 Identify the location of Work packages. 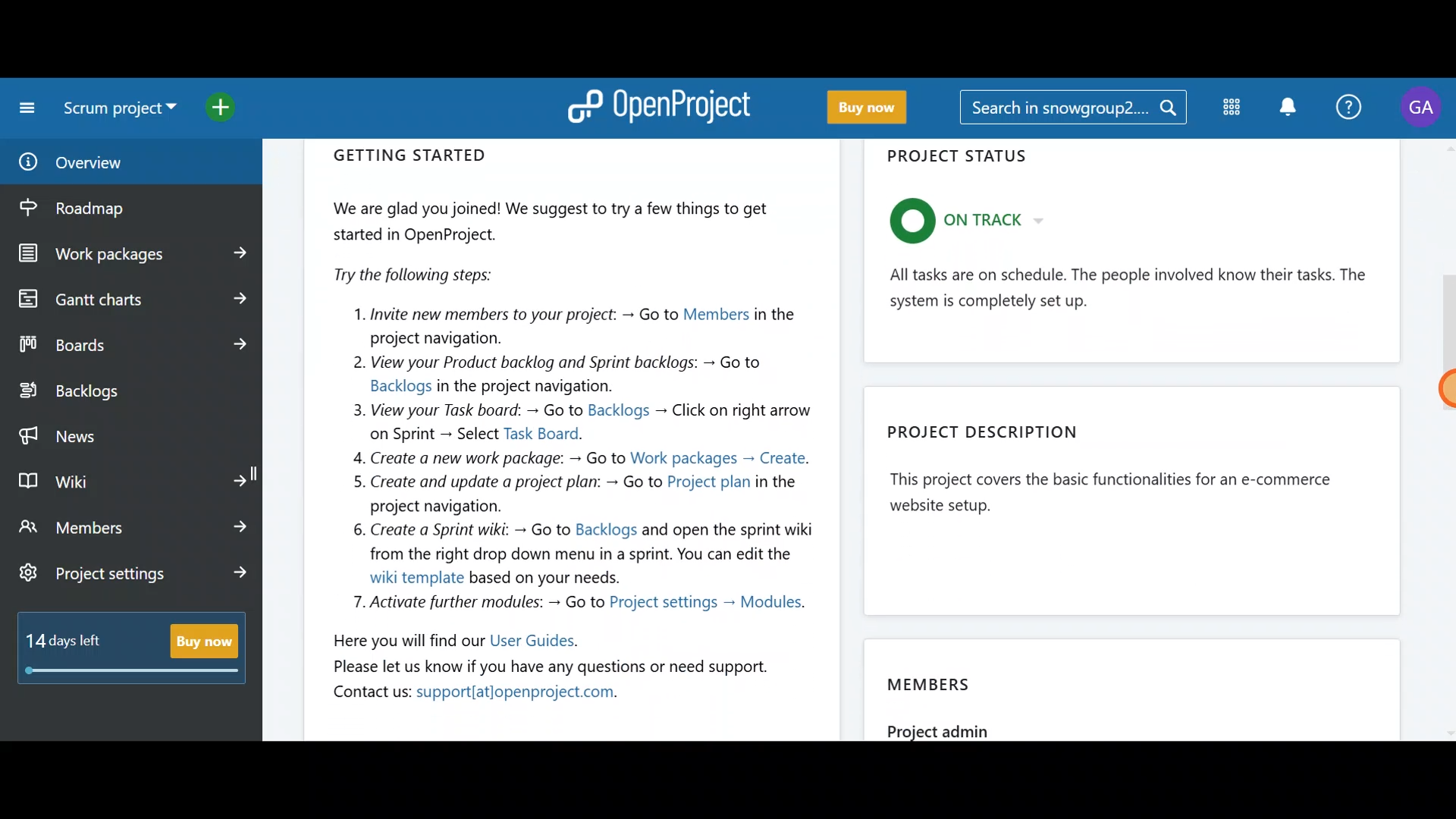
(133, 254).